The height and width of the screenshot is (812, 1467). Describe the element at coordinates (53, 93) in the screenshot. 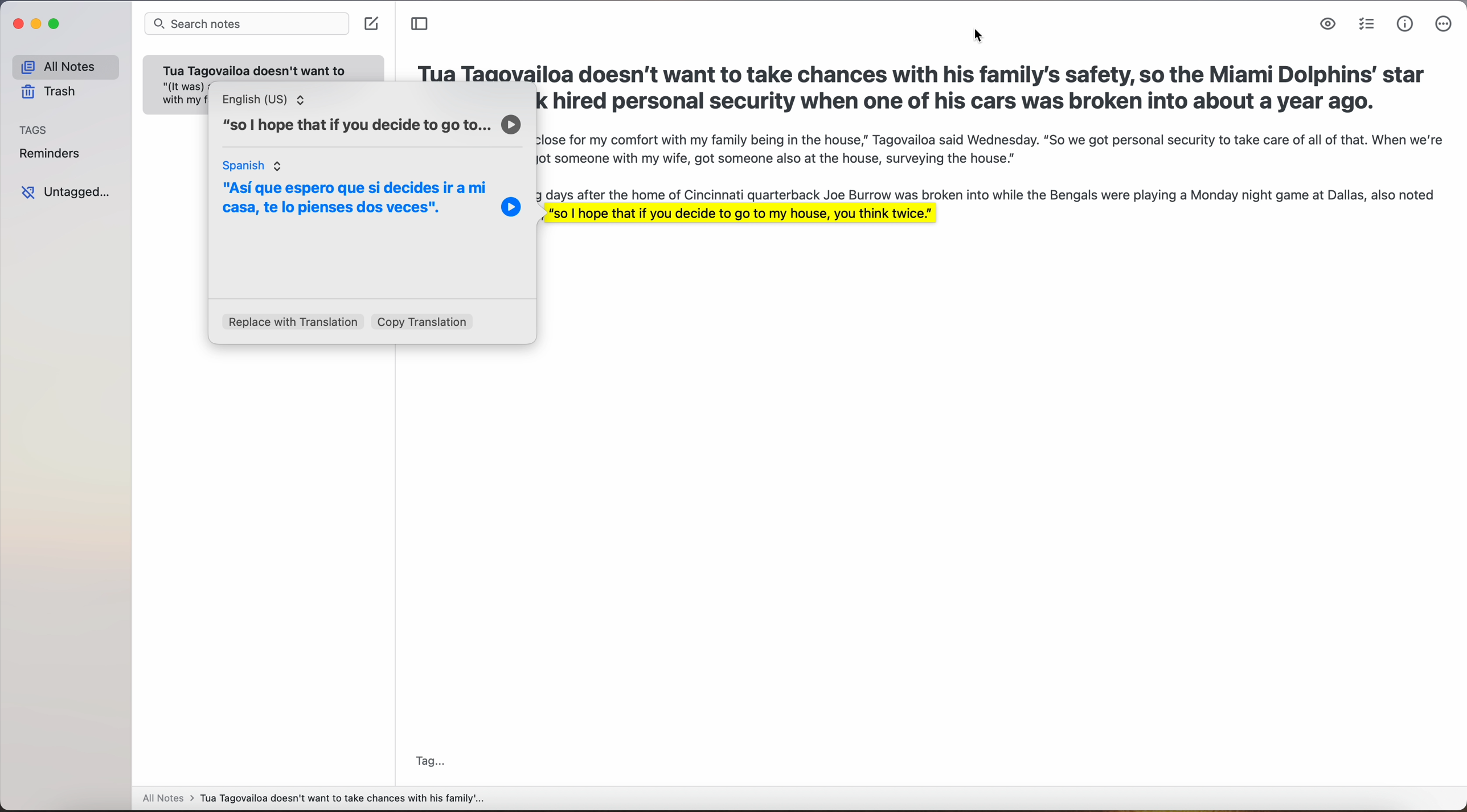

I see `trash` at that location.